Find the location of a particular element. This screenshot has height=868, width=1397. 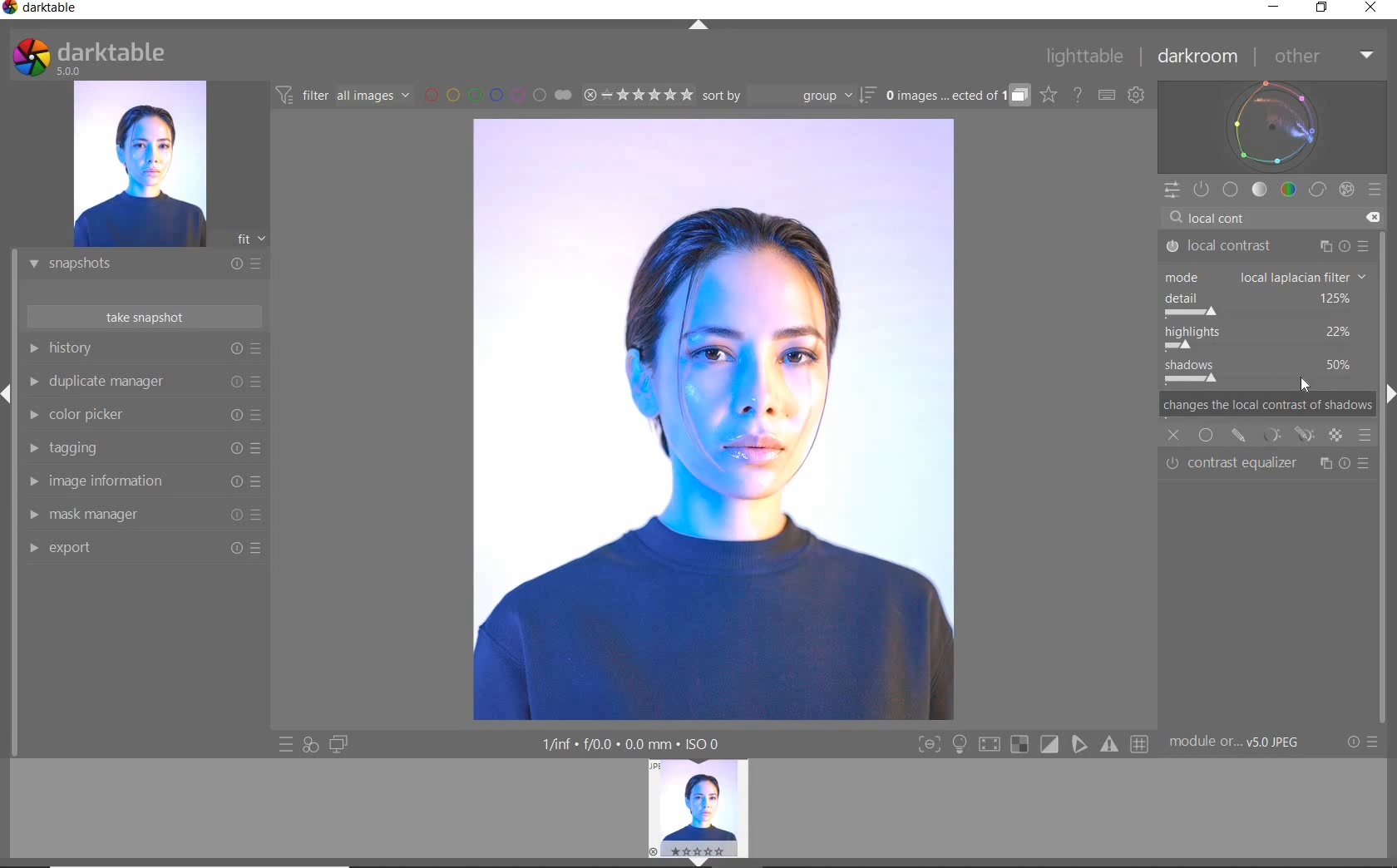

BASE is located at coordinates (1231, 190).